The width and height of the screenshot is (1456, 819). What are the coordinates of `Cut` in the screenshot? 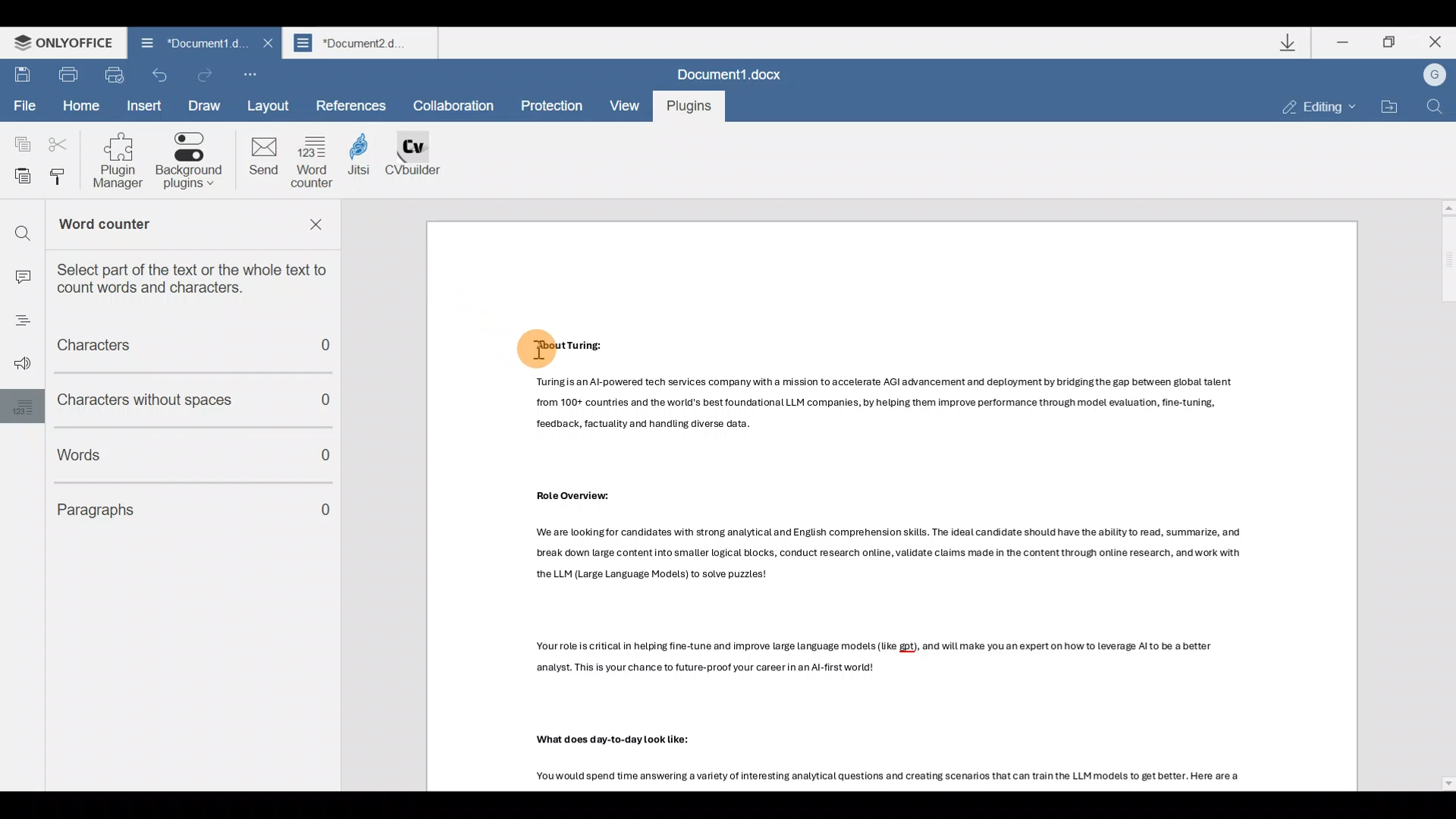 It's located at (56, 145).